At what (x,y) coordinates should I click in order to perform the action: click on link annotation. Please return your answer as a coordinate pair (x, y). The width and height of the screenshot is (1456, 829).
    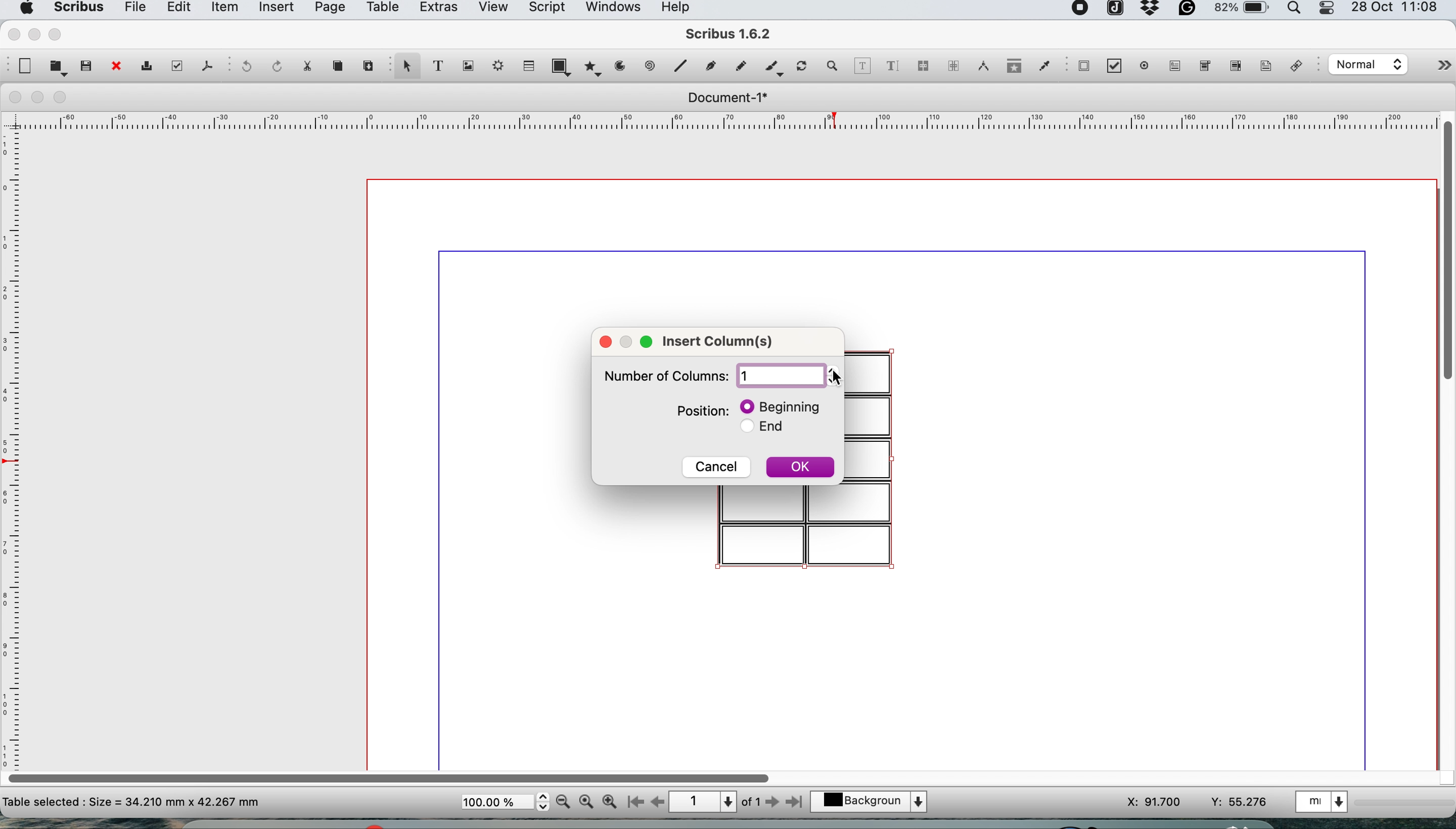
    Looking at the image, I should click on (1299, 67).